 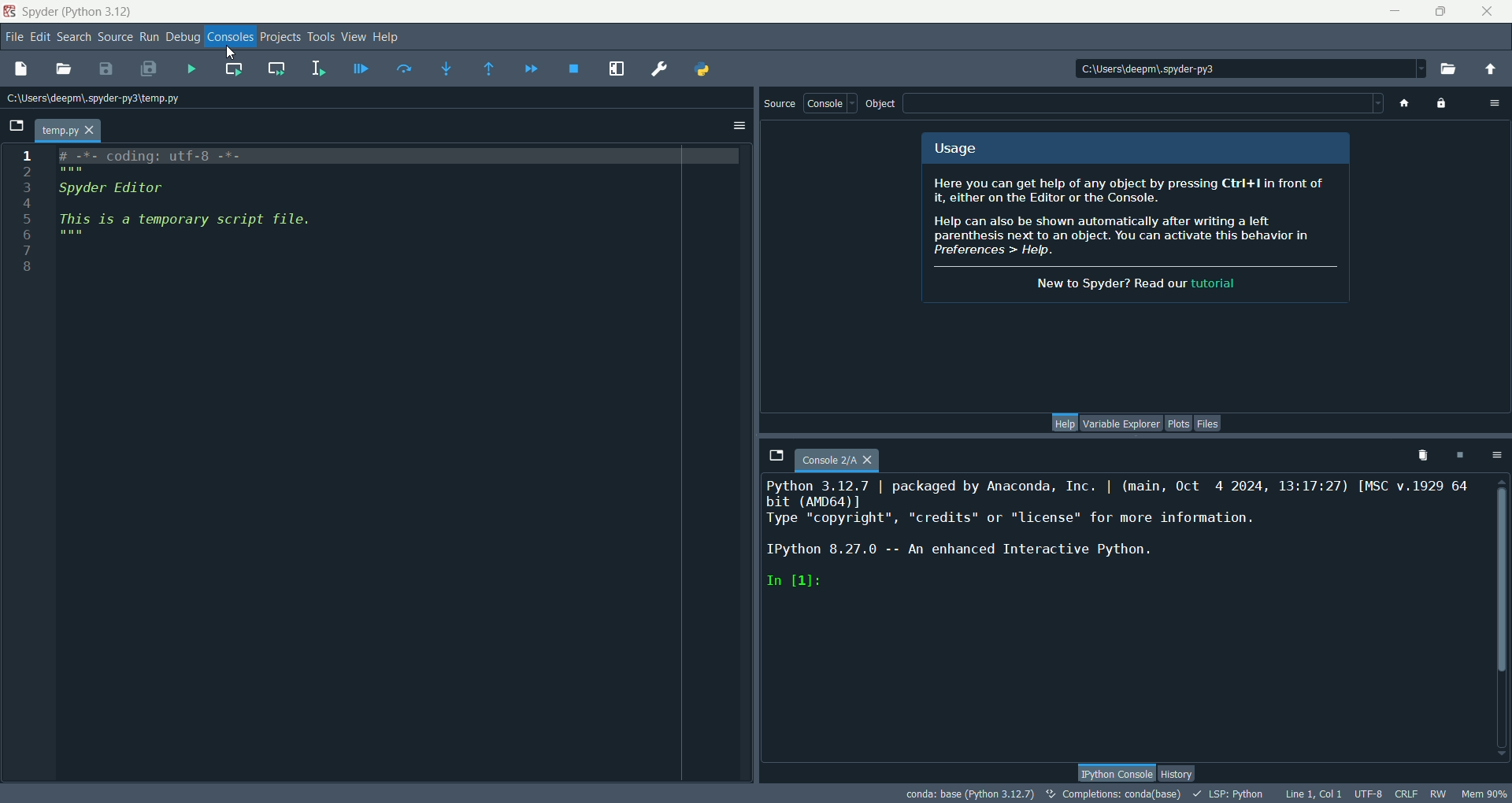 I want to click on consoles, so click(x=229, y=37).